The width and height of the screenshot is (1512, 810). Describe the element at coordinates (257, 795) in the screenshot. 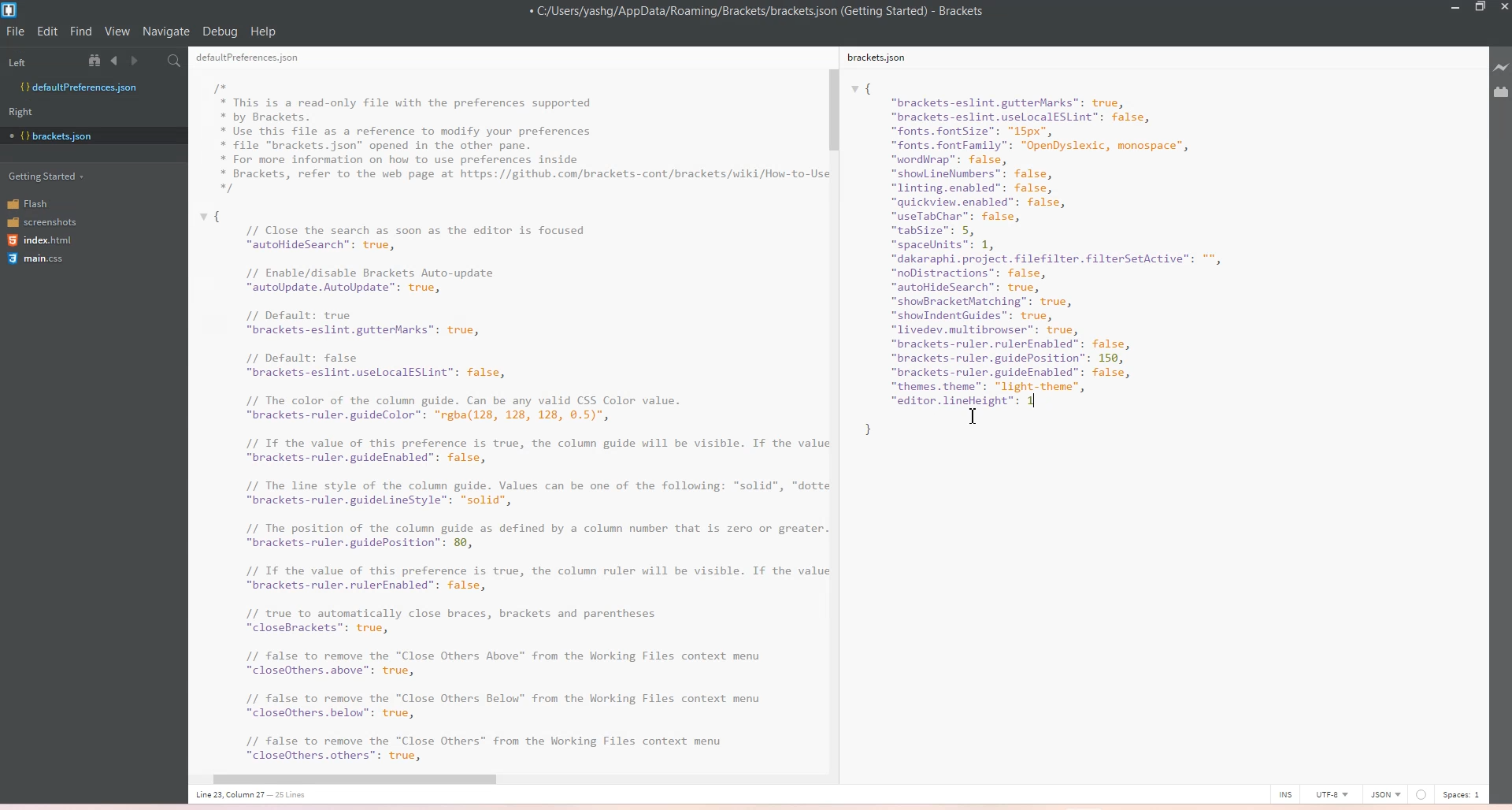

I see `Line 23, Column 27 - 25 Lines` at that location.